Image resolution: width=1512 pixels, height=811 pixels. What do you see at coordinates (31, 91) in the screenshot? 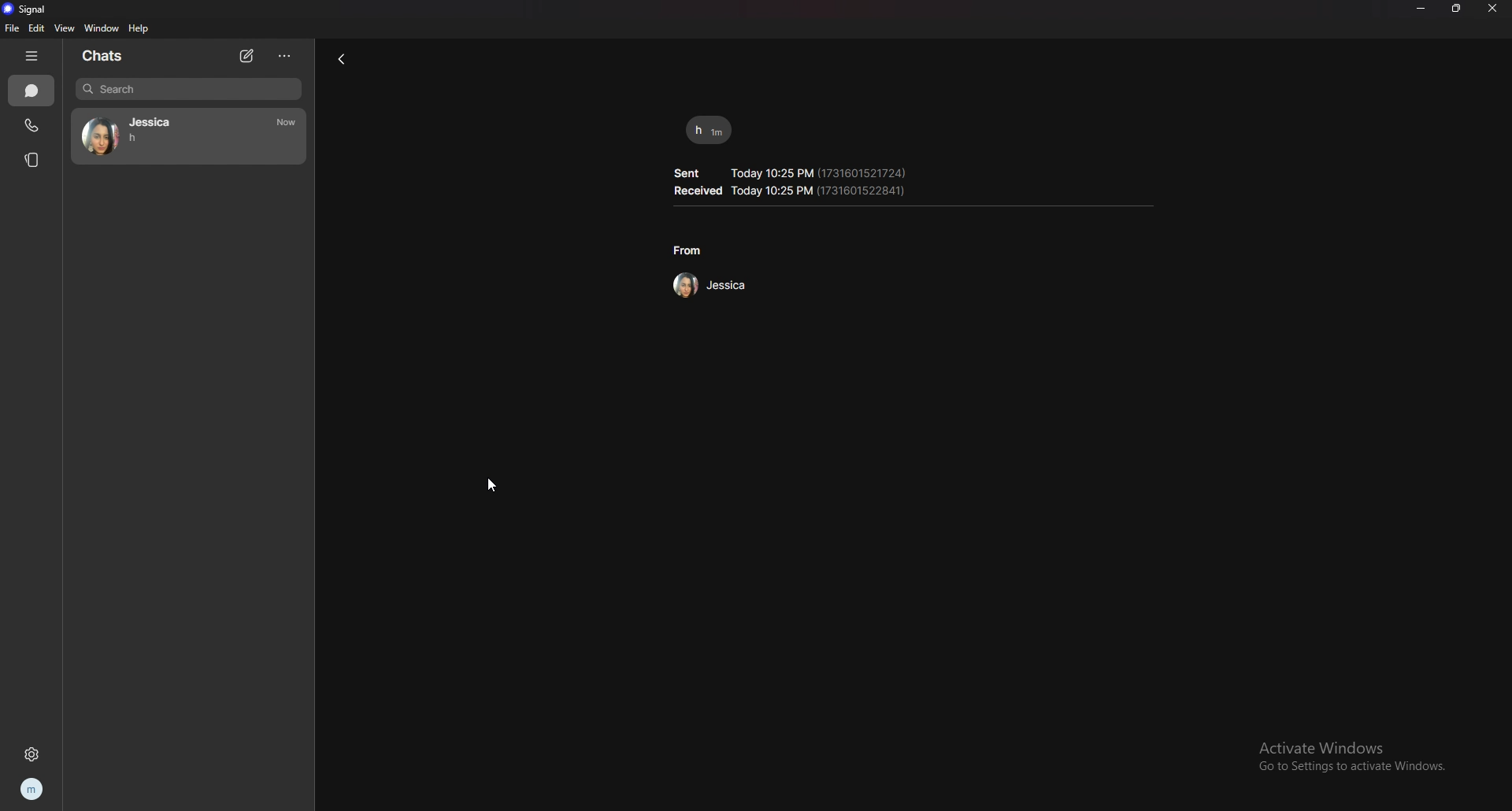
I see `chats` at bounding box center [31, 91].